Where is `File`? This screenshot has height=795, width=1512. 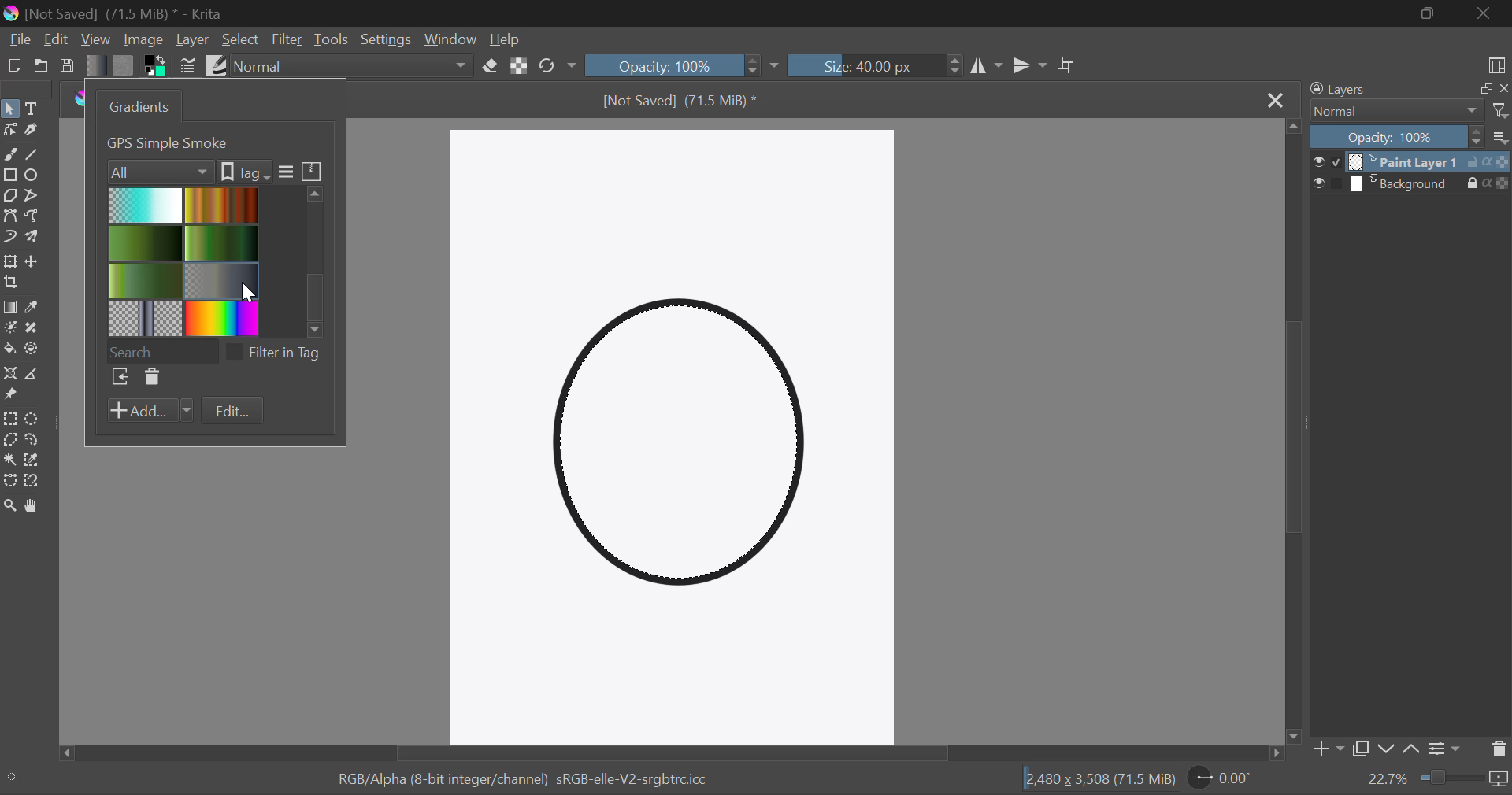
File is located at coordinates (18, 39).